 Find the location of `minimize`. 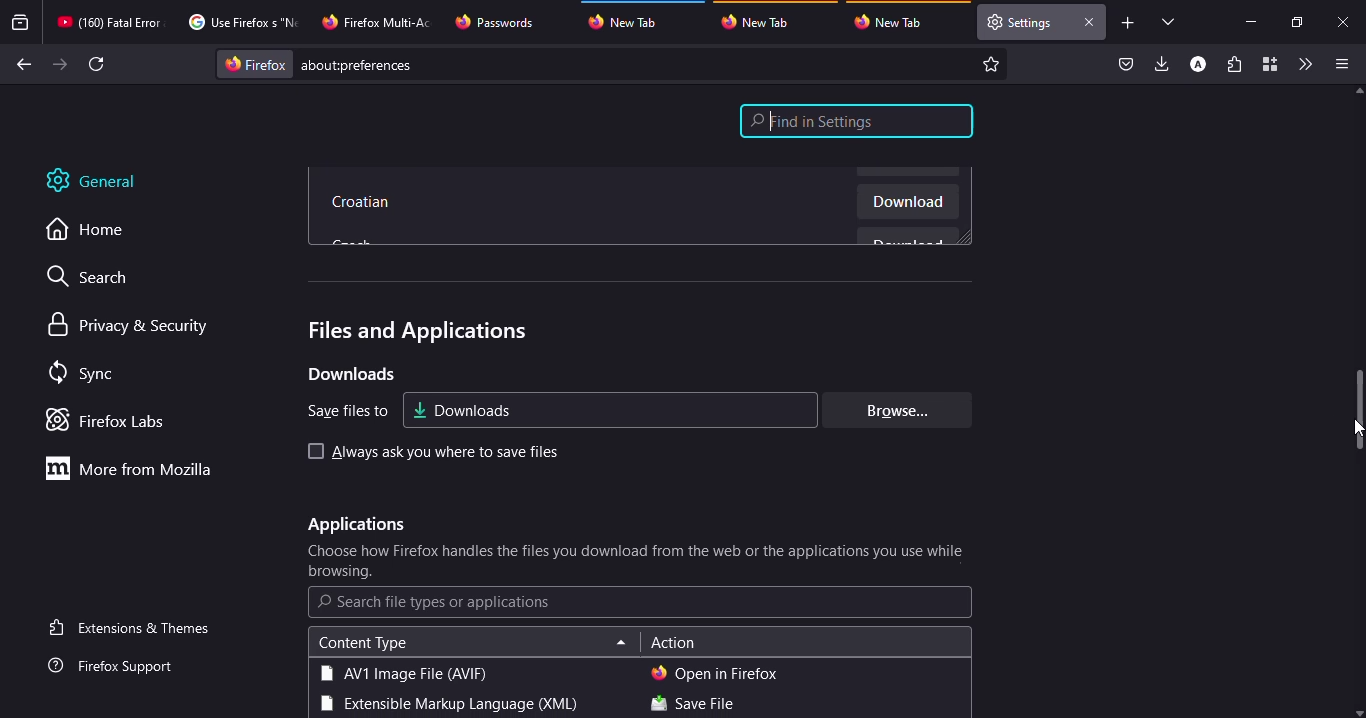

minimize is located at coordinates (1250, 21).